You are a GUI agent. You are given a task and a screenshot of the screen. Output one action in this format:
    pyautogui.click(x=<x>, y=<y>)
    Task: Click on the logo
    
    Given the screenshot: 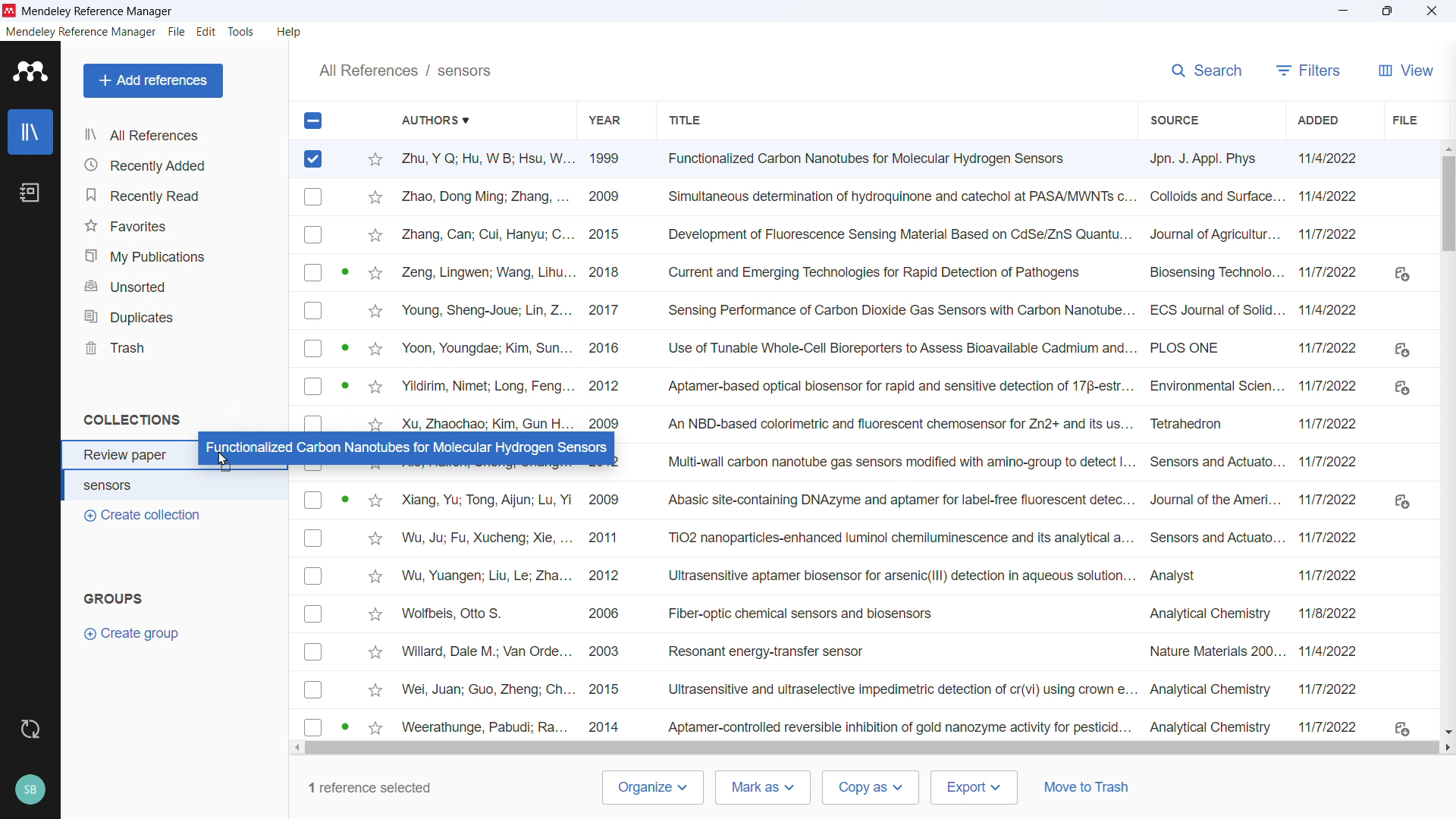 What is the action you would take?
    pyautogui.click(x=10, y=11)
    